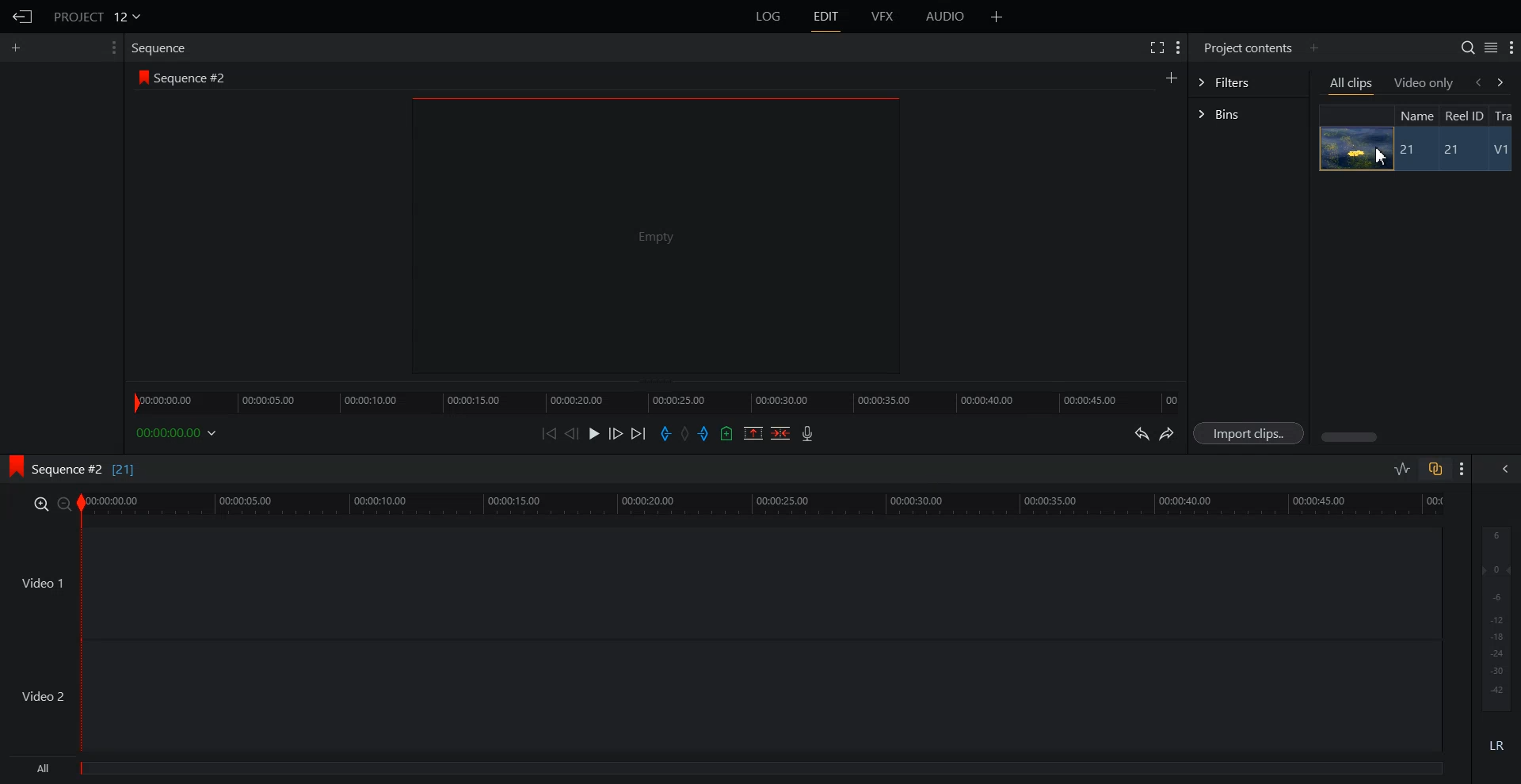 The height and width of the screenshot is (784, 1521). What do you see at coordinates (639, 434) in the screenshot?
I see `Move forward` at bounding box center [639, 434].